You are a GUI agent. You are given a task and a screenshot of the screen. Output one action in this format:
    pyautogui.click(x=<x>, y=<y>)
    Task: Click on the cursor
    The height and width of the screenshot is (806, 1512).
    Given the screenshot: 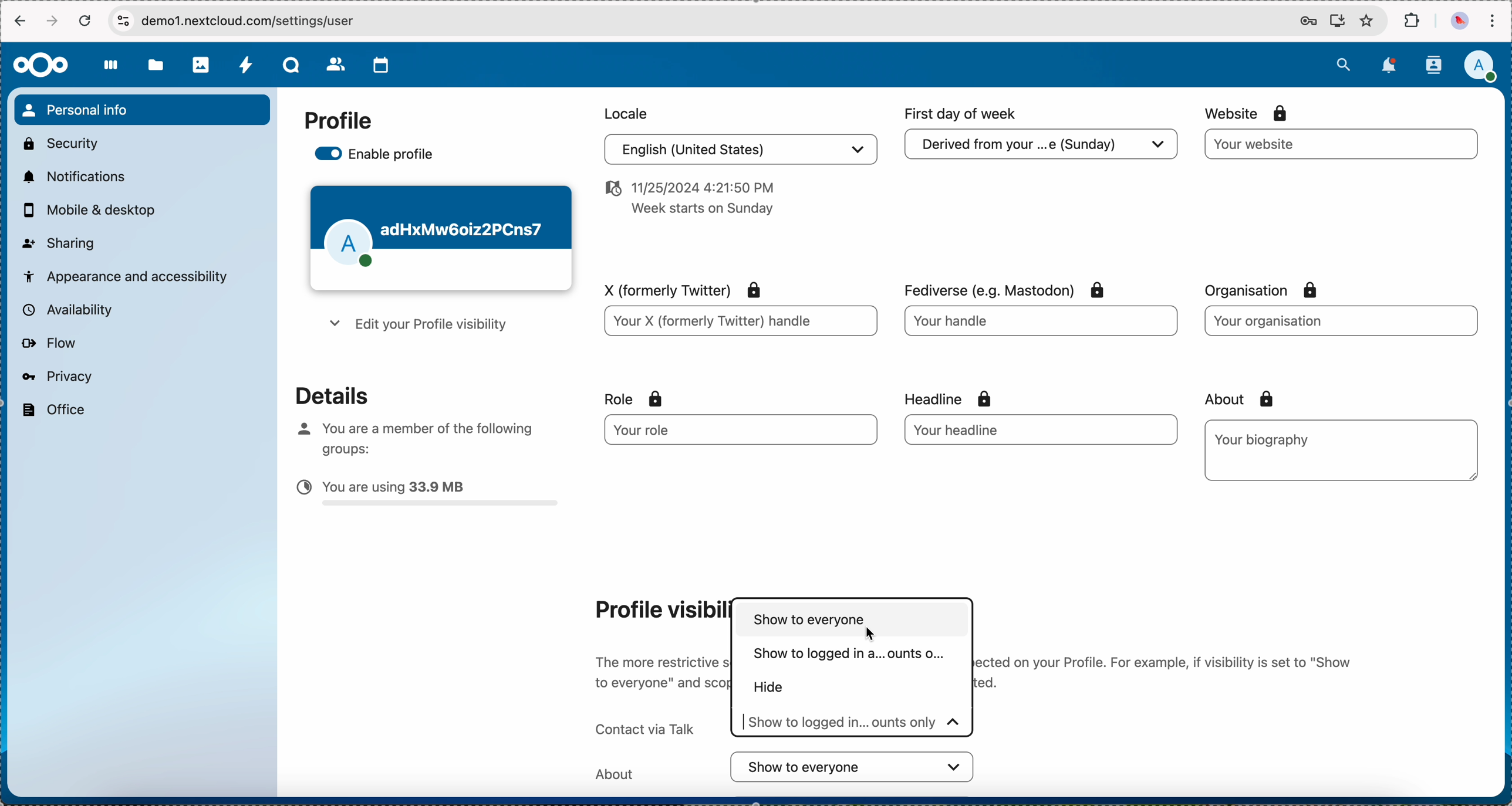 What is the action you would take?
    pyautogui.click(x=875, y=634)
    